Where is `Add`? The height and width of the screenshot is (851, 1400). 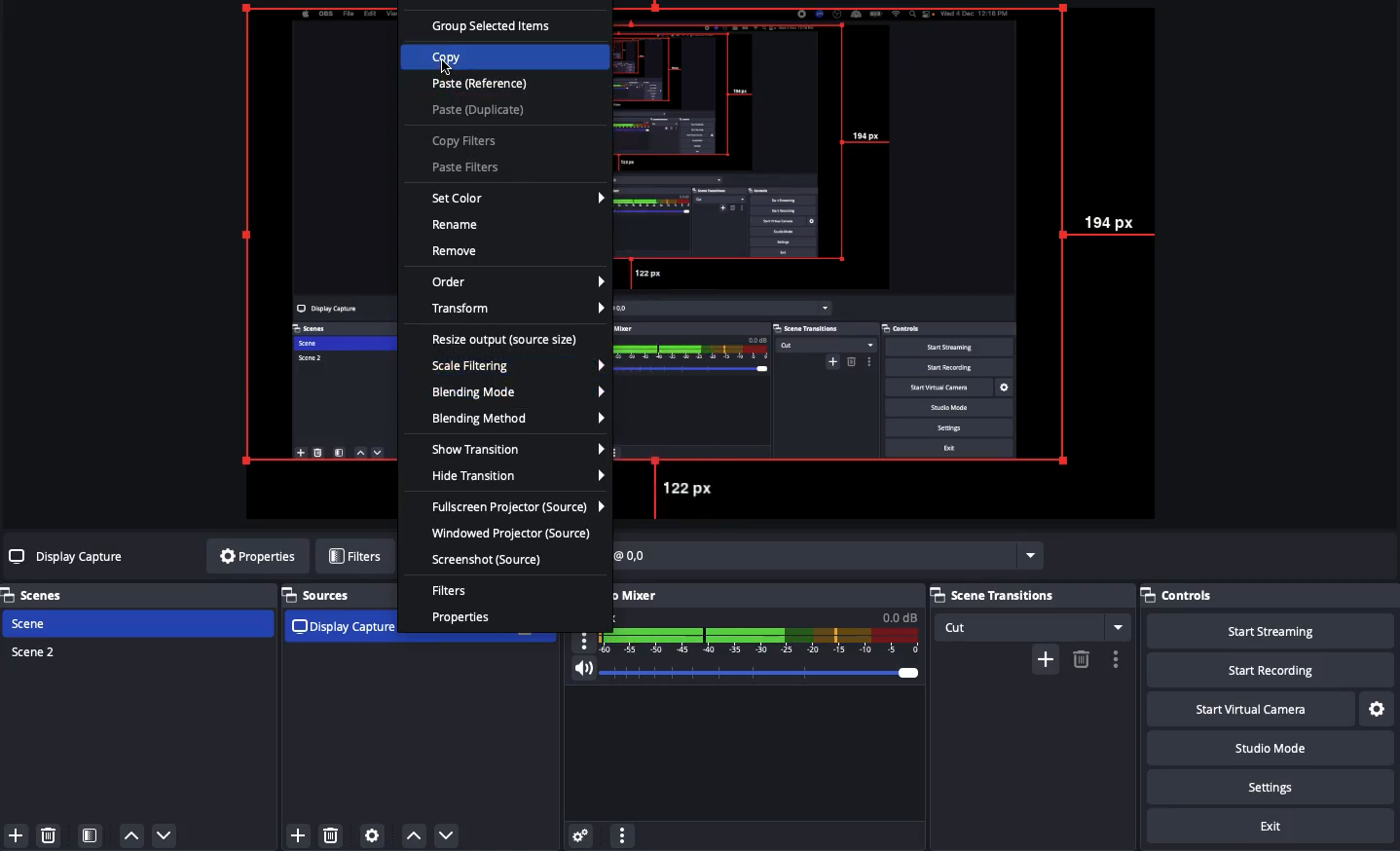
Add is located at coordinates (18, 834).